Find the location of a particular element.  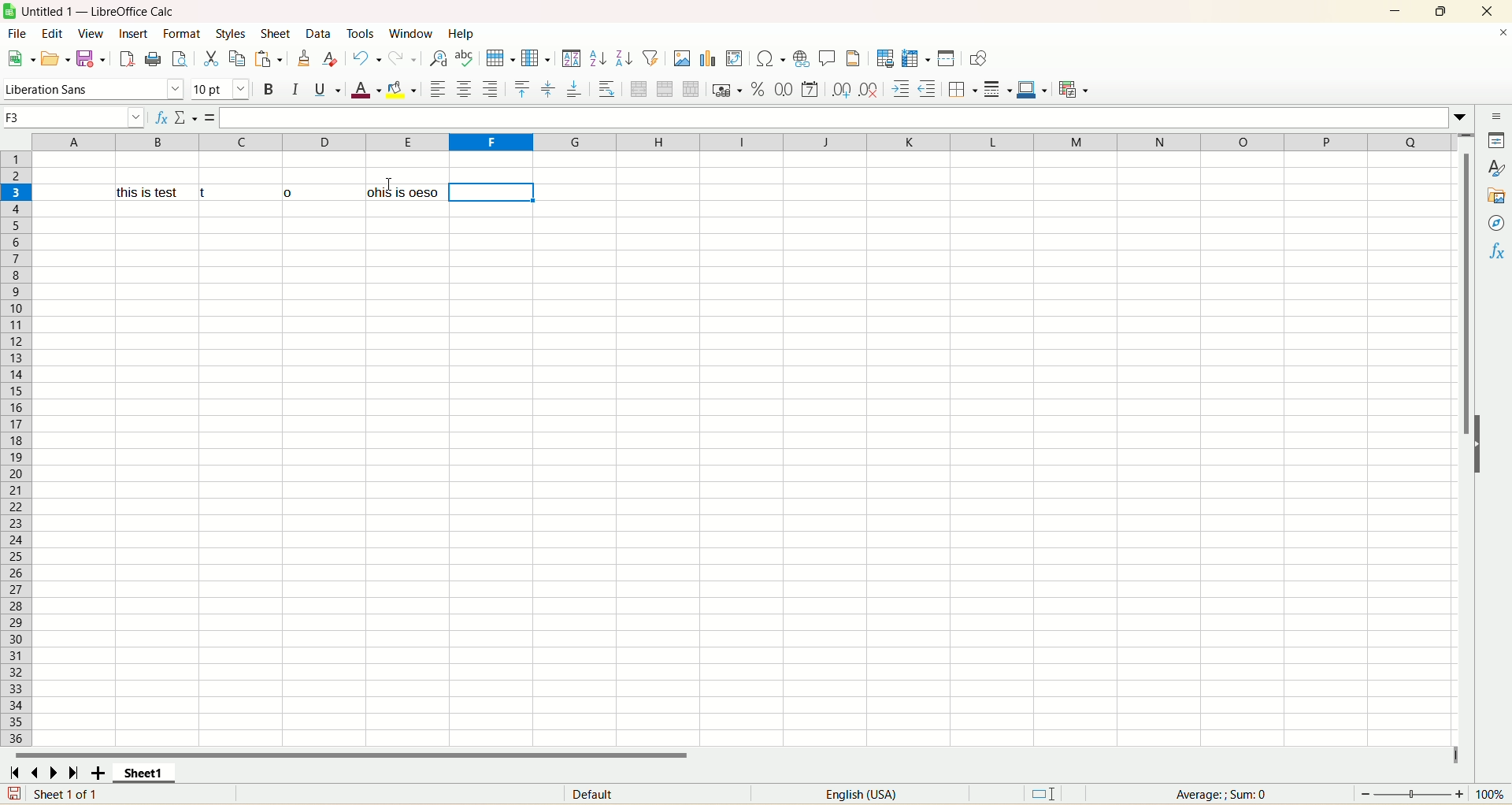

this is test is located at coordinates (217, 191).